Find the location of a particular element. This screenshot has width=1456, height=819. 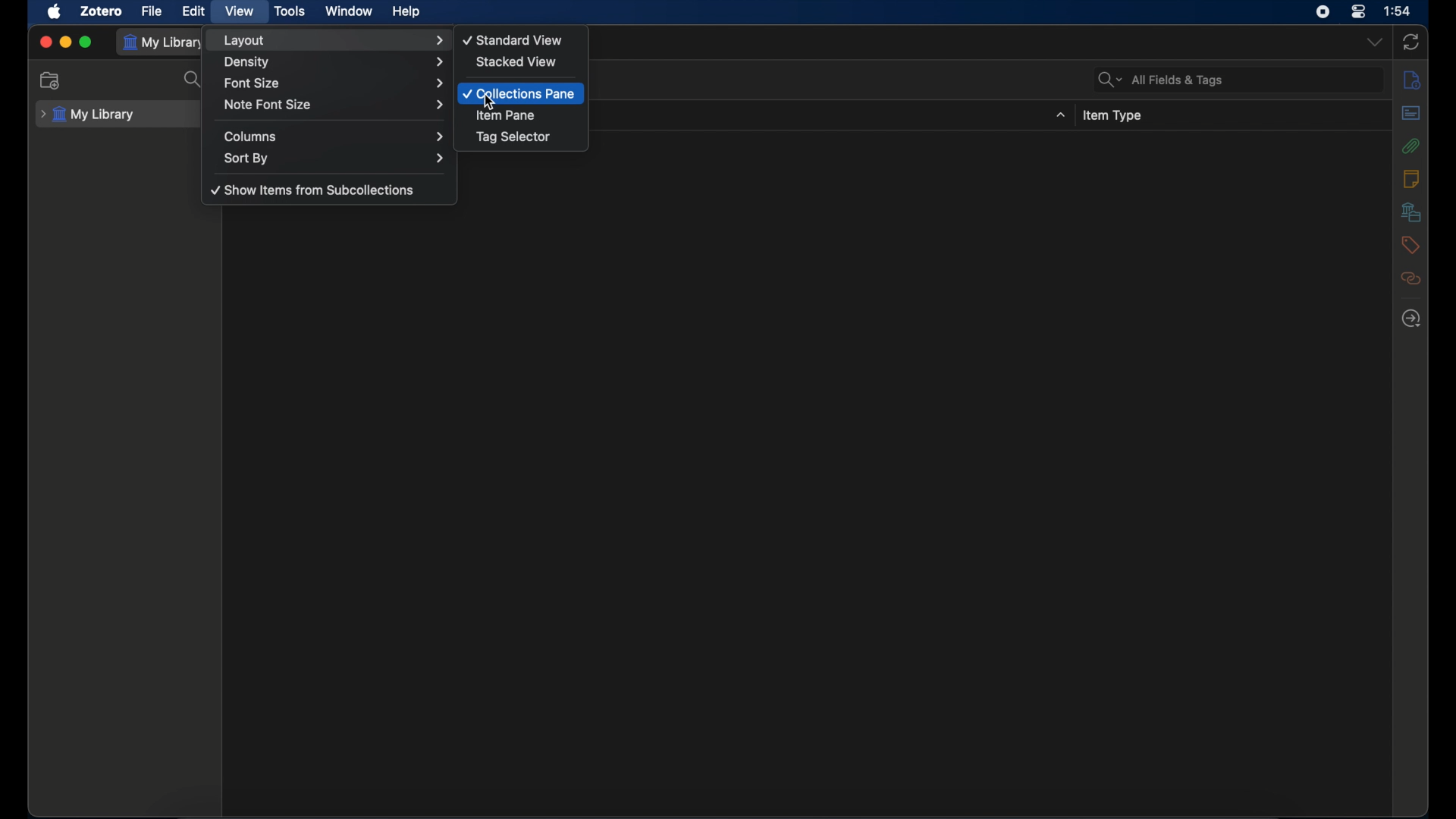

note font size is located at coordinates (334, 105).